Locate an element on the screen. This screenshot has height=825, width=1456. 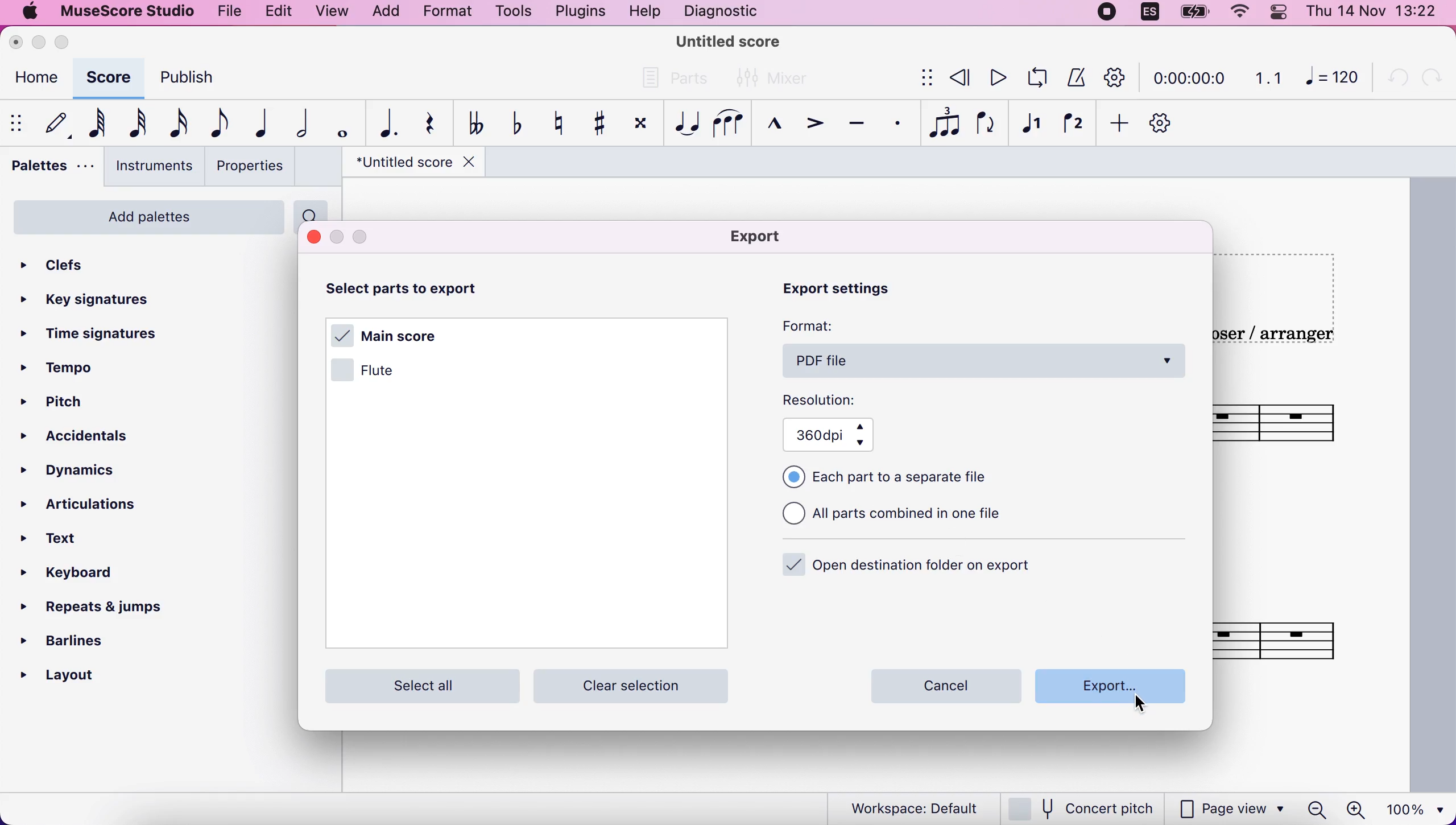
toggle natural is located at coordinates (556, 126).